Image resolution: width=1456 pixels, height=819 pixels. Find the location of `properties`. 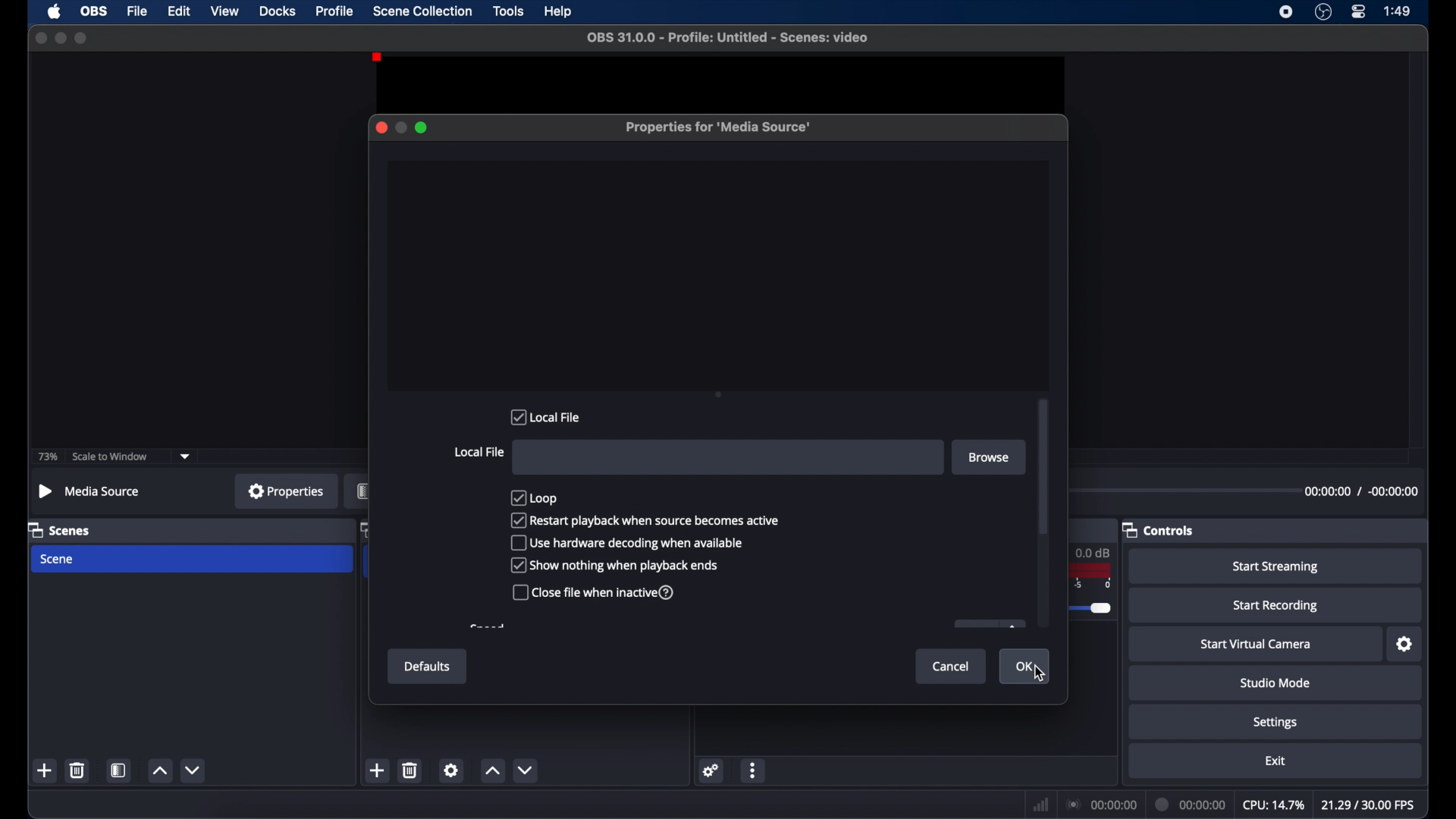

properties is located at coordinates (287, 491).